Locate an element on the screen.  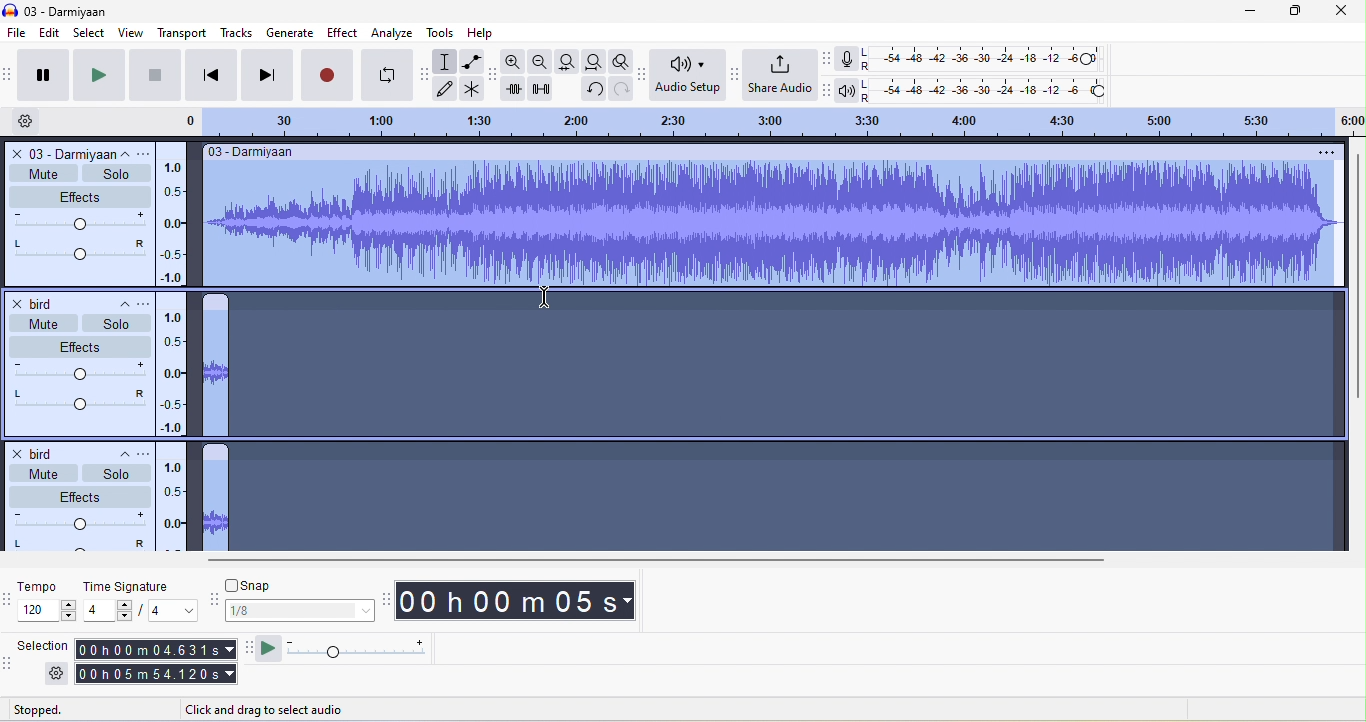
zoom in is located at coordinates (515, 61).